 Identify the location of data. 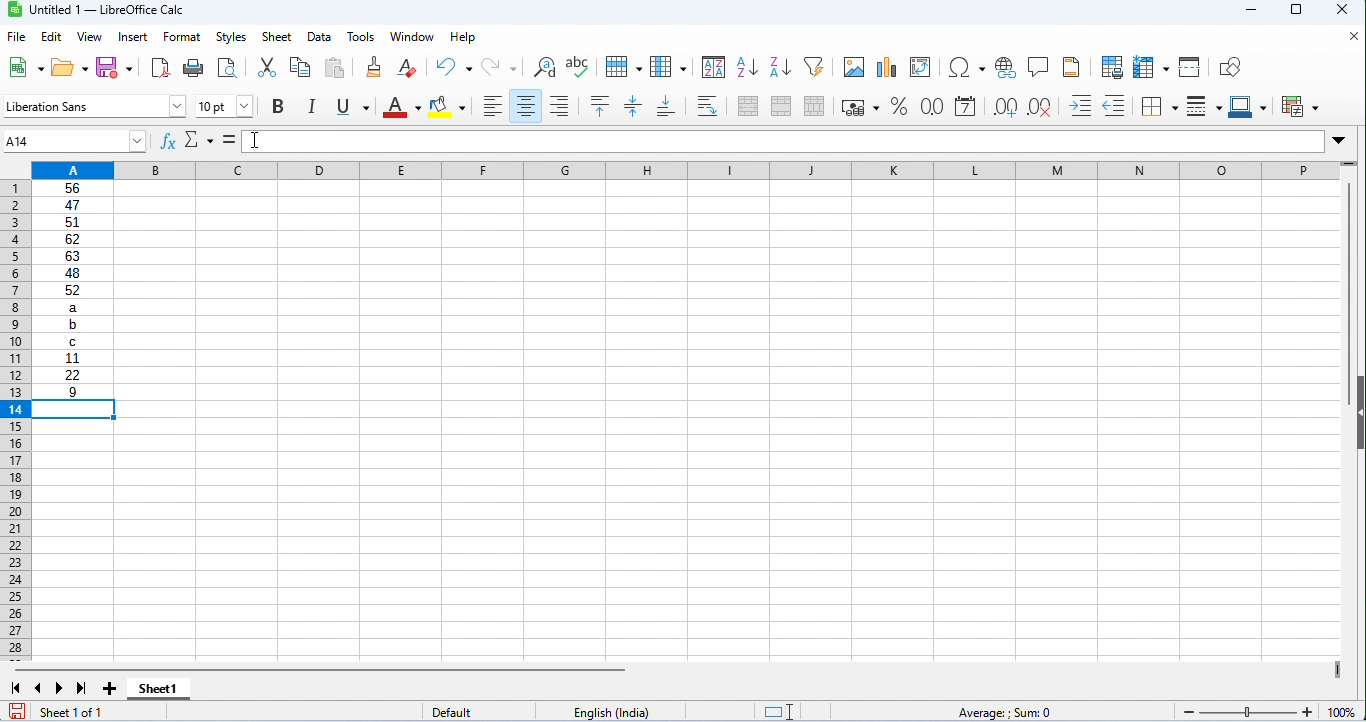
(319, 38).